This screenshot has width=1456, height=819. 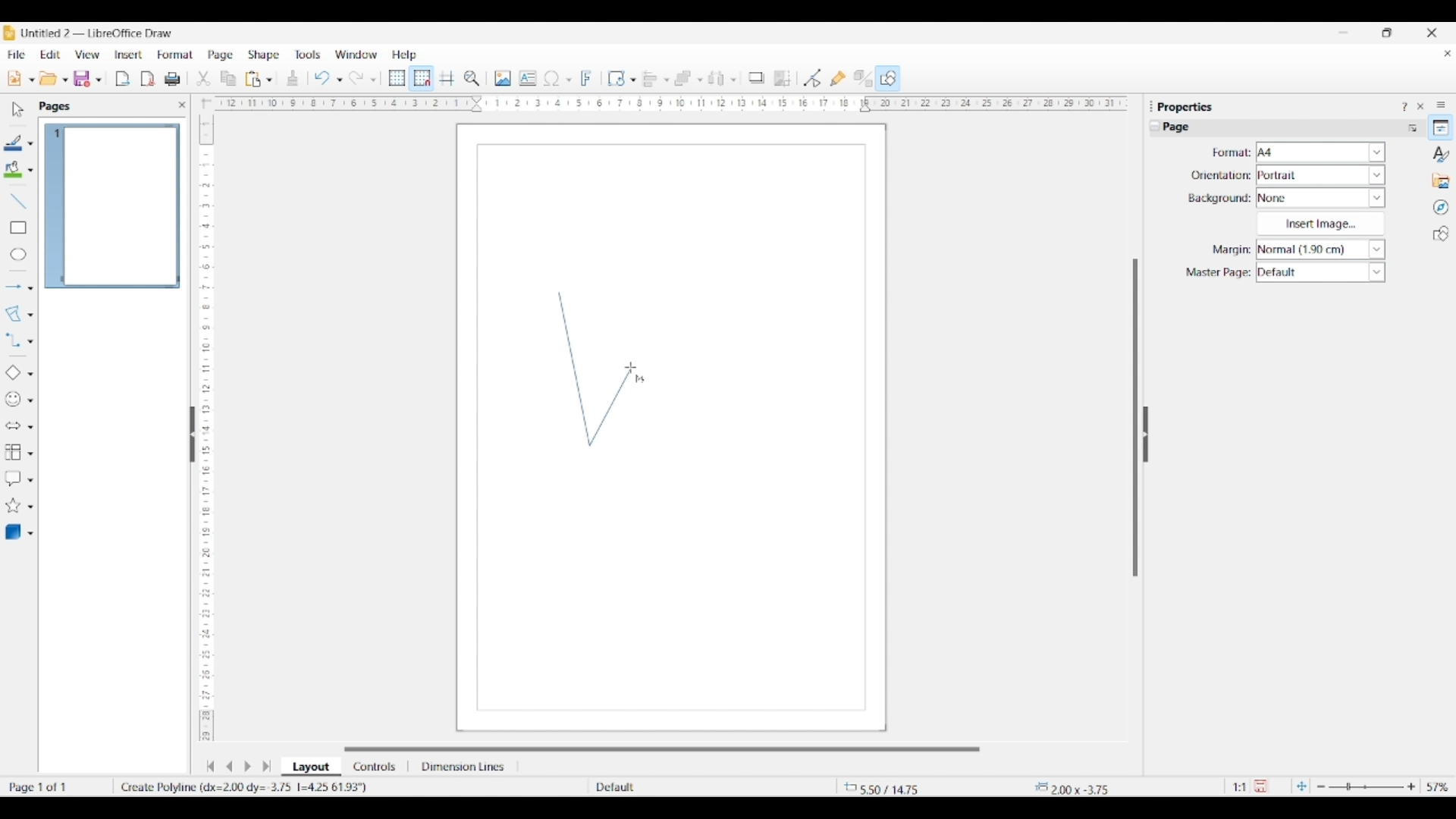 I want to click on Close left sidebar, so click(x=182, y=105).